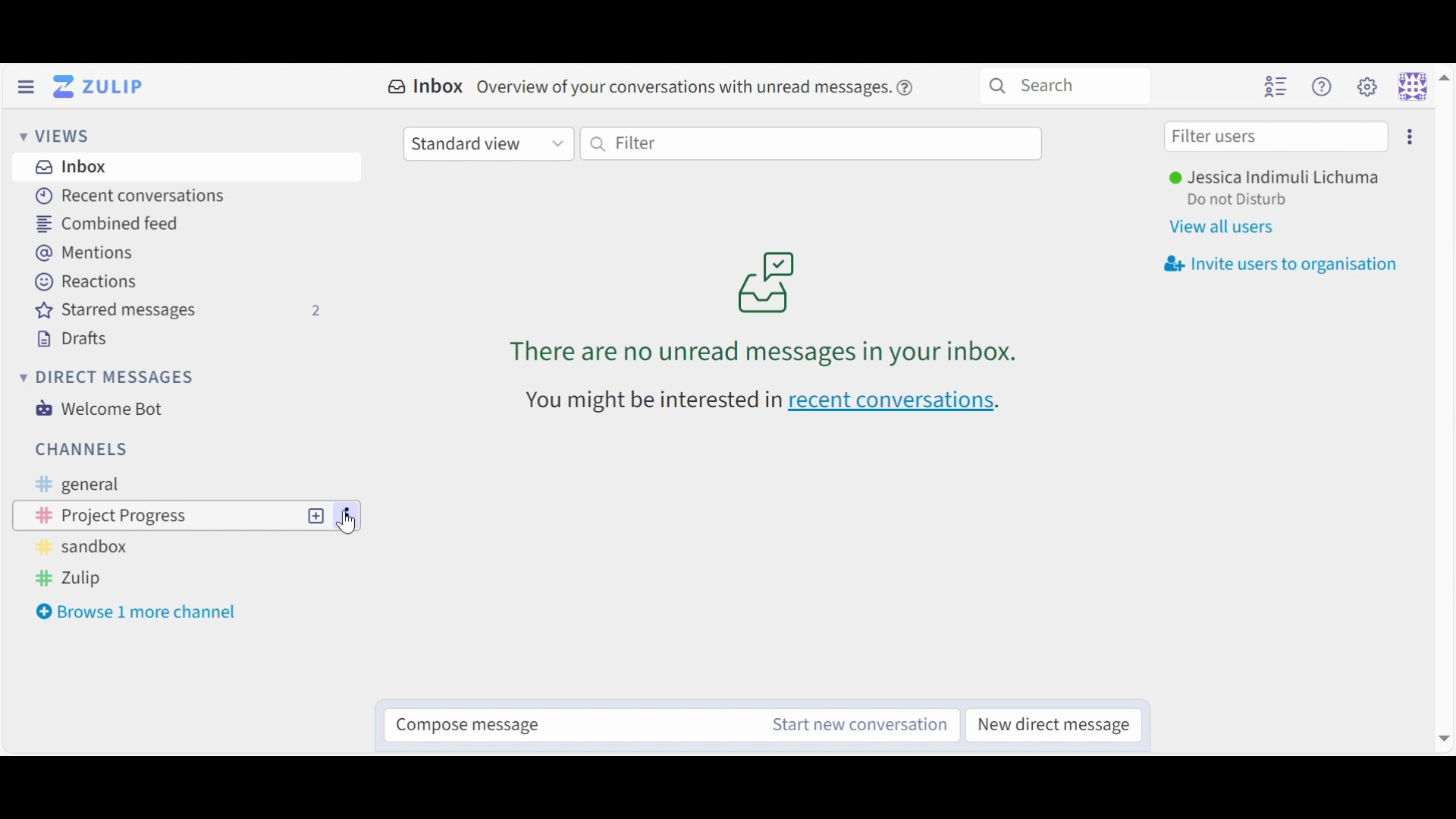  What do you see at coordinates (104, 224) in the screenshot?
I see `Combined feed` at bounding box center [104, 224].